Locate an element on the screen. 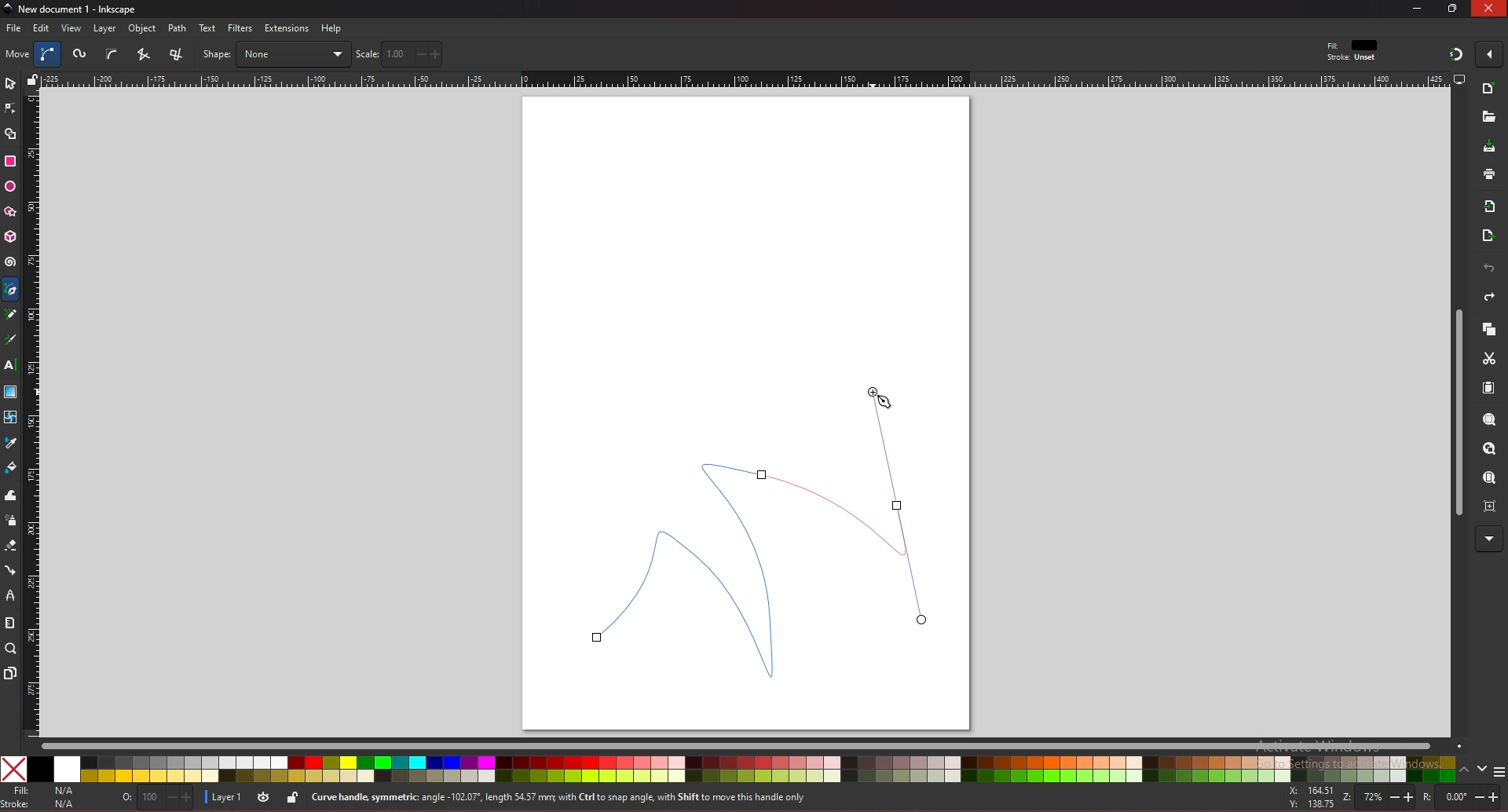  gradient is located at coordinates (11, 392).